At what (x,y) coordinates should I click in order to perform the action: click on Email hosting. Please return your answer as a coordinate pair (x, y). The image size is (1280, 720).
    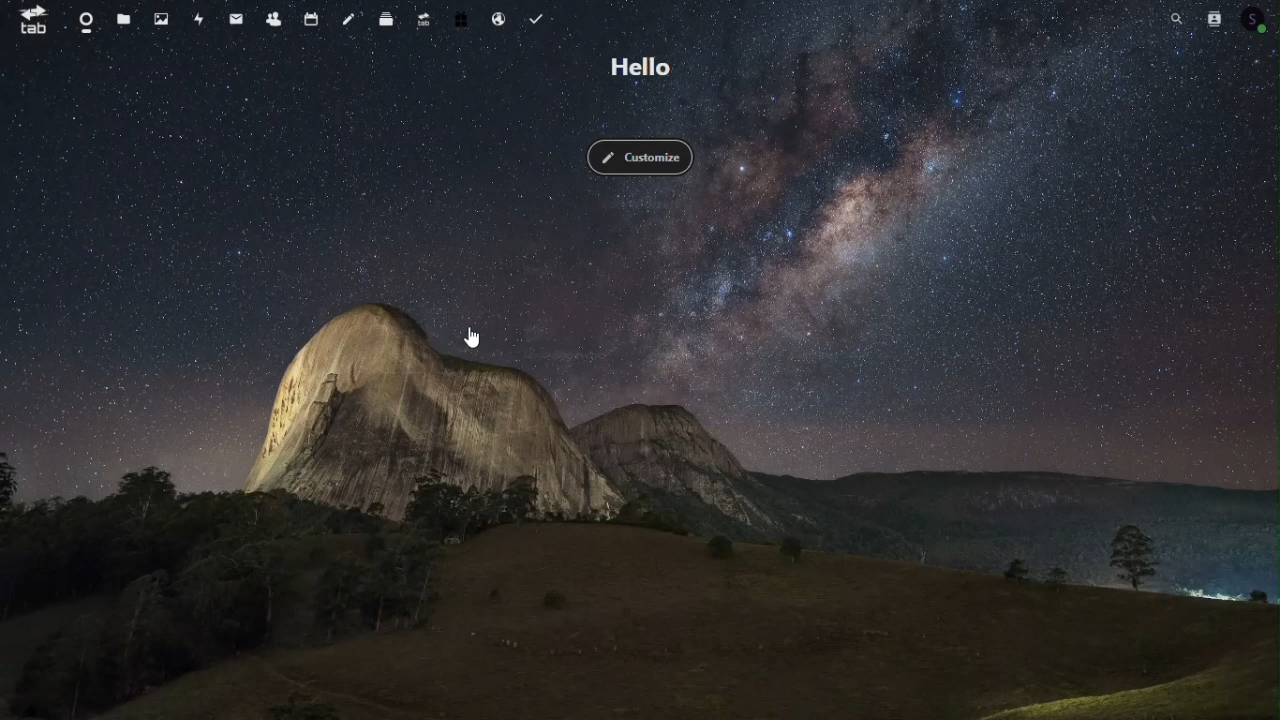
    Looking at the image, I should click on (497, 20).